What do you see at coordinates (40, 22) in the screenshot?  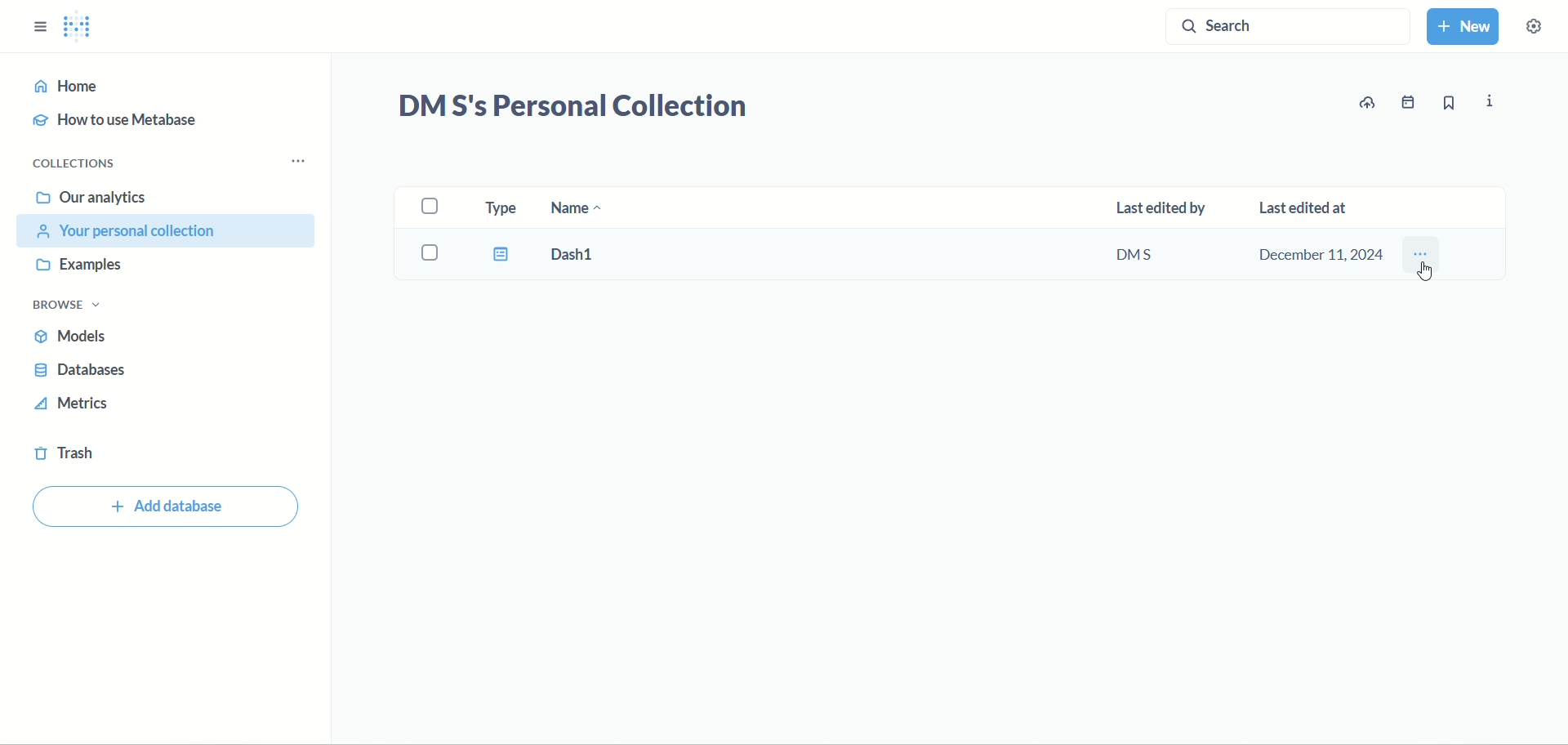 I see `SHOW SIDEBAR ` at bounding box center [40, 22].